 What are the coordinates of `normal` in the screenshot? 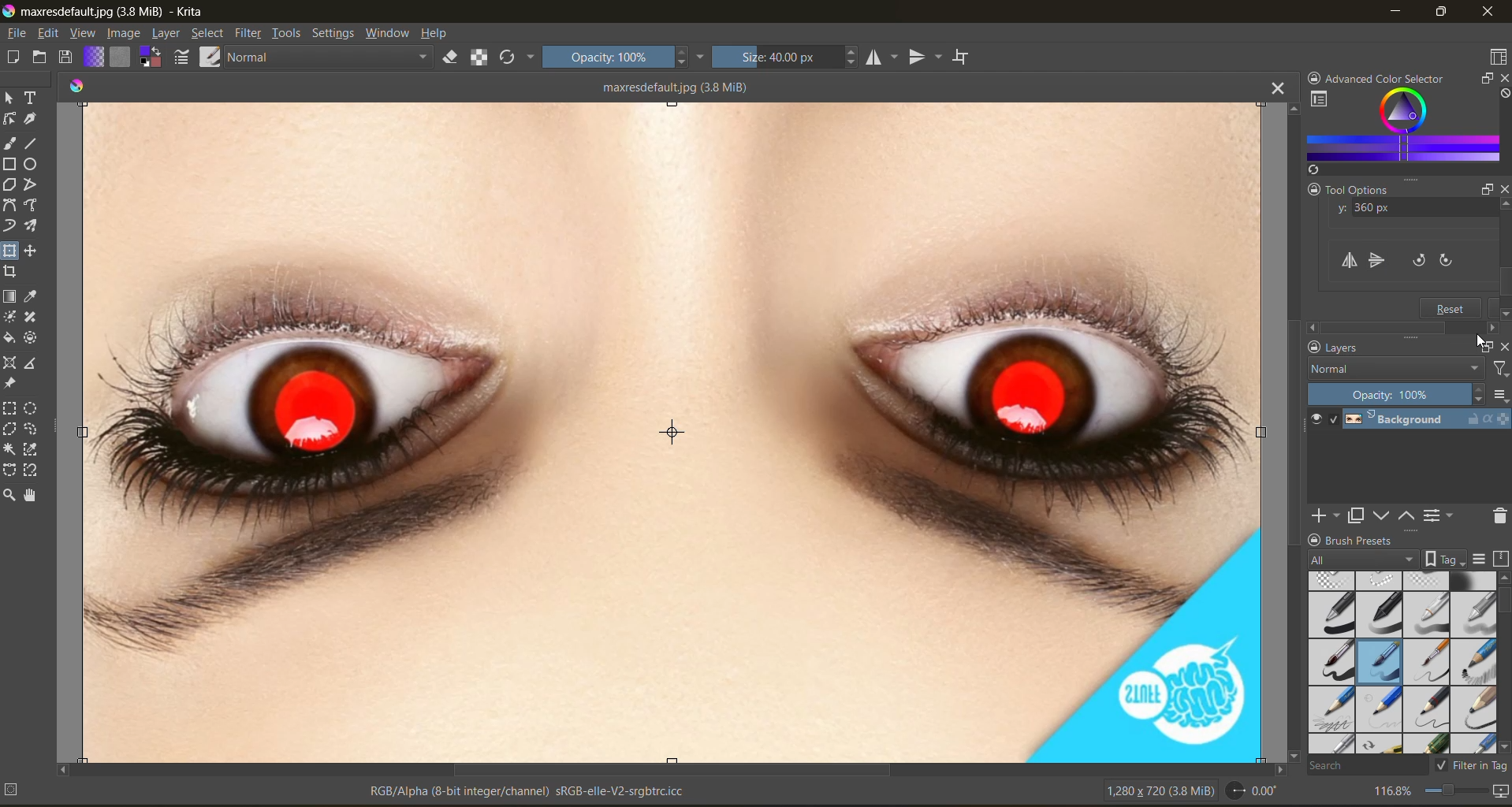 It's located at (331, 55).